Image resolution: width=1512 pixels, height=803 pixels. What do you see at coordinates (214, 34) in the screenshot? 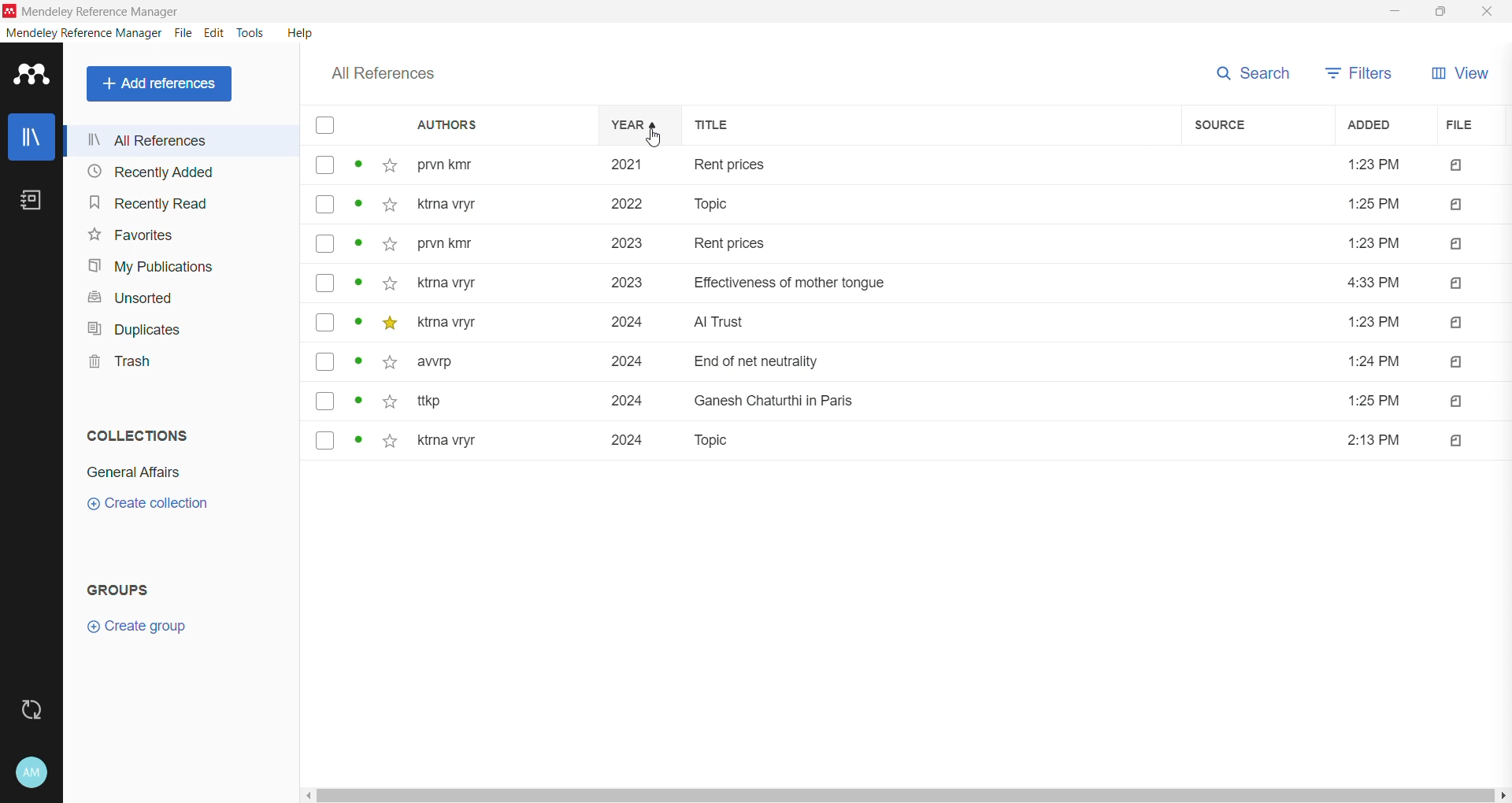
I see `Edit` at bounding box center [214, 34].